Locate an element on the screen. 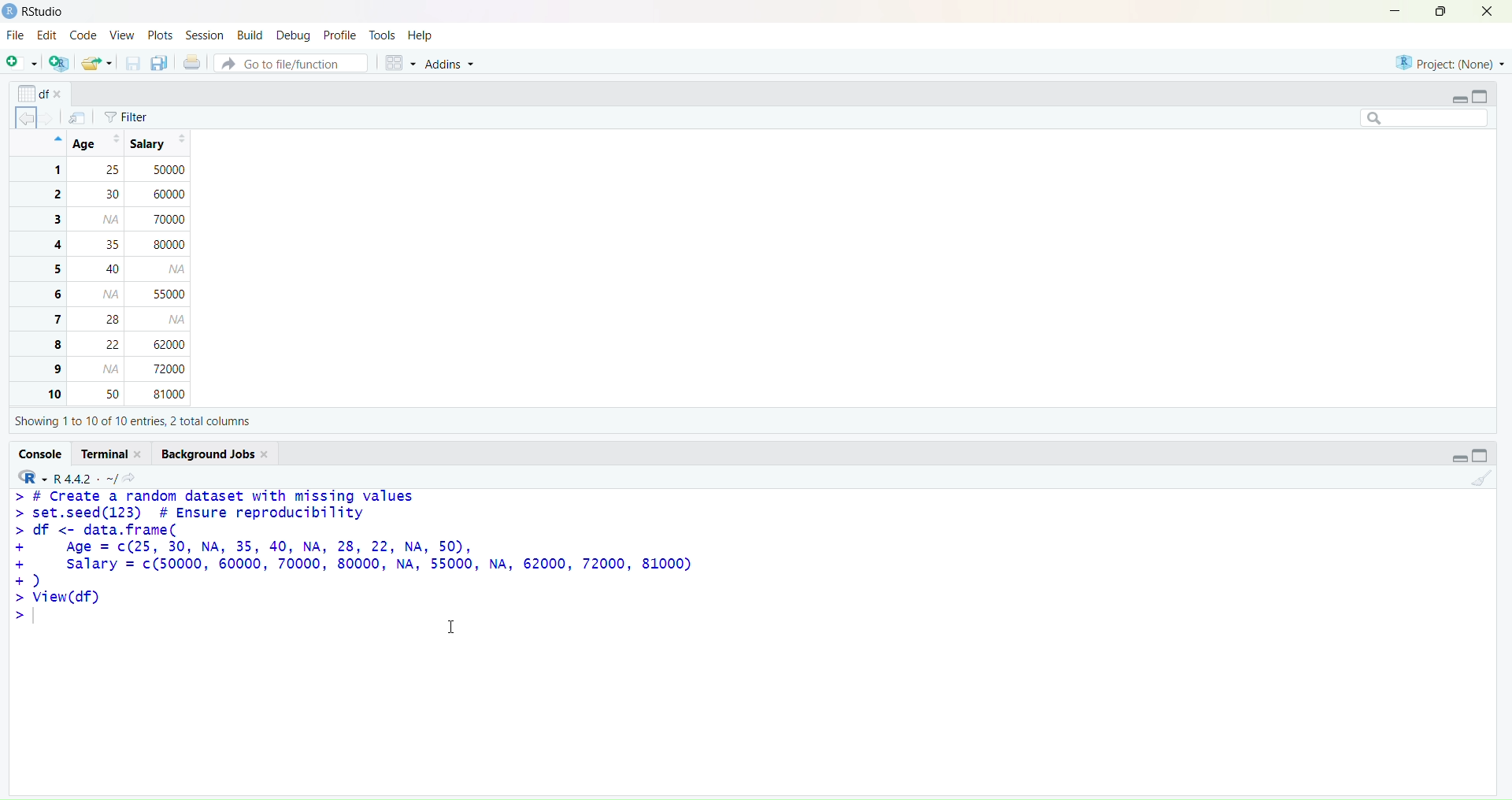  code is located at coordinates (83, 35).